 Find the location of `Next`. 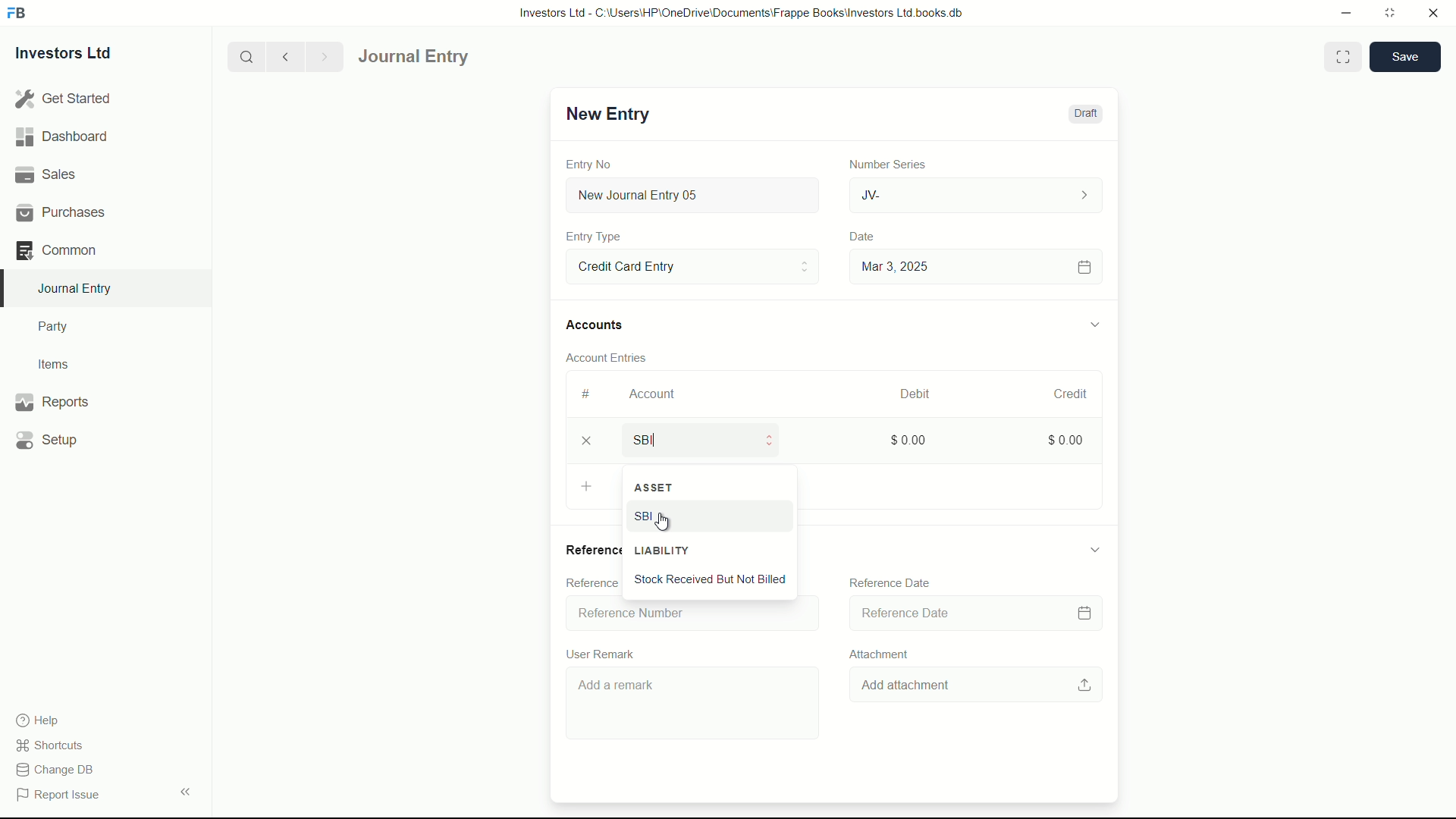

Next is located at coordinates (322, 56).